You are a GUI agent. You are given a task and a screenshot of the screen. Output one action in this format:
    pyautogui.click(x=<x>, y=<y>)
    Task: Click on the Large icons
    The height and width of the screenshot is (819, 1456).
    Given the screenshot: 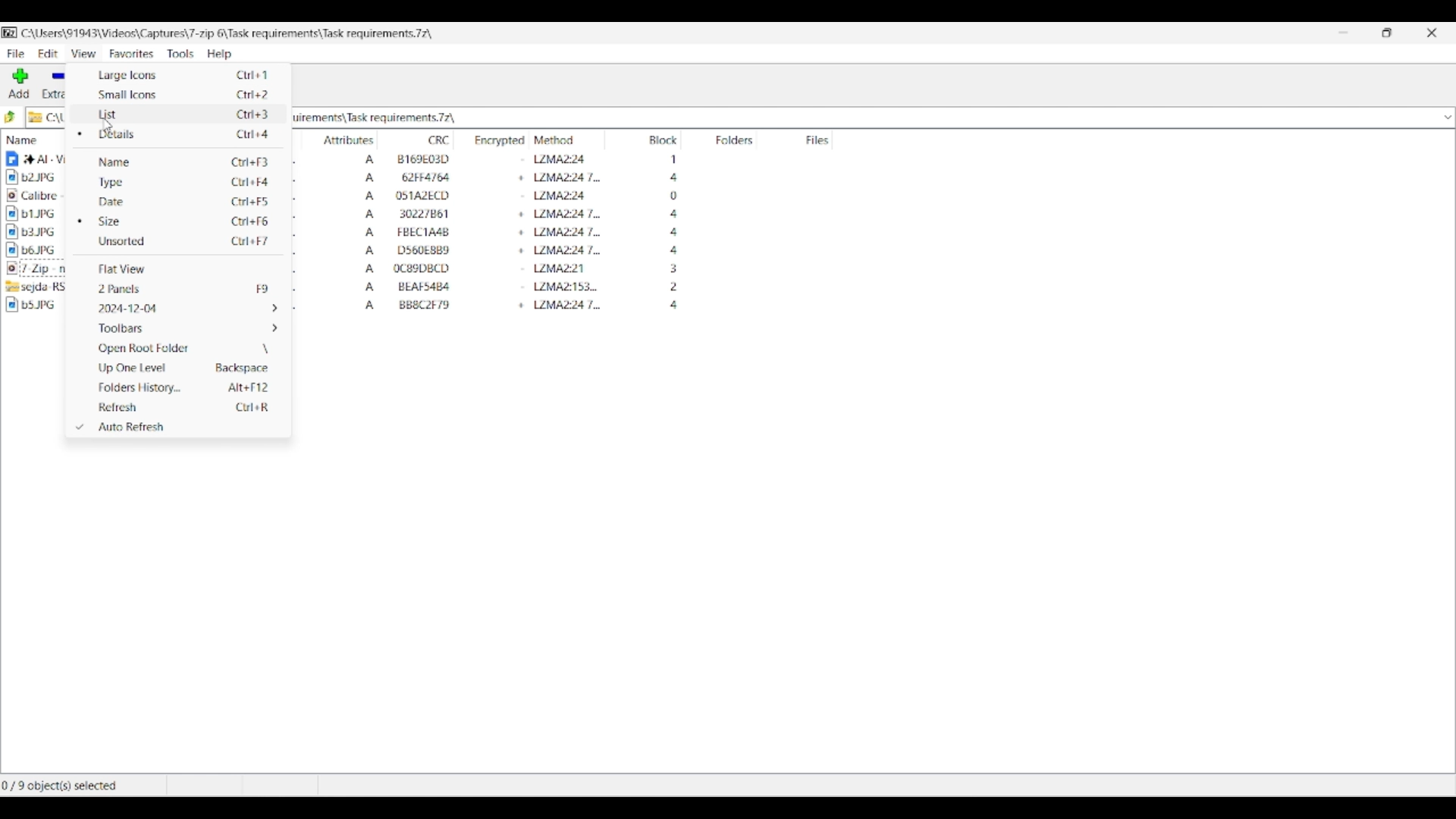 What is the action you would take?
    pyautogui.click(x=174, y=75)
    